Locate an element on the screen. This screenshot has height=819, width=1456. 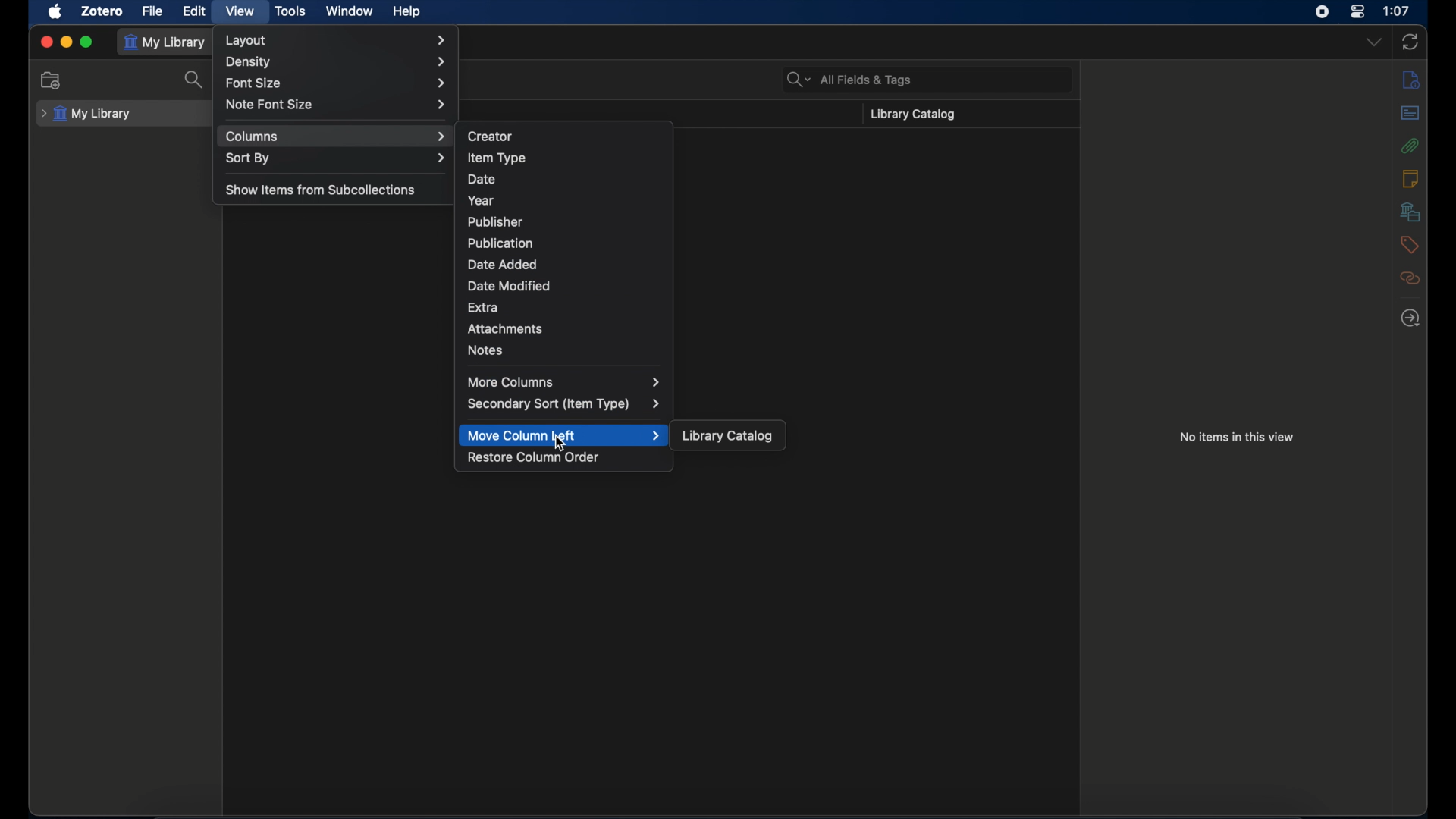
tools is located at coordinates (290, 11).